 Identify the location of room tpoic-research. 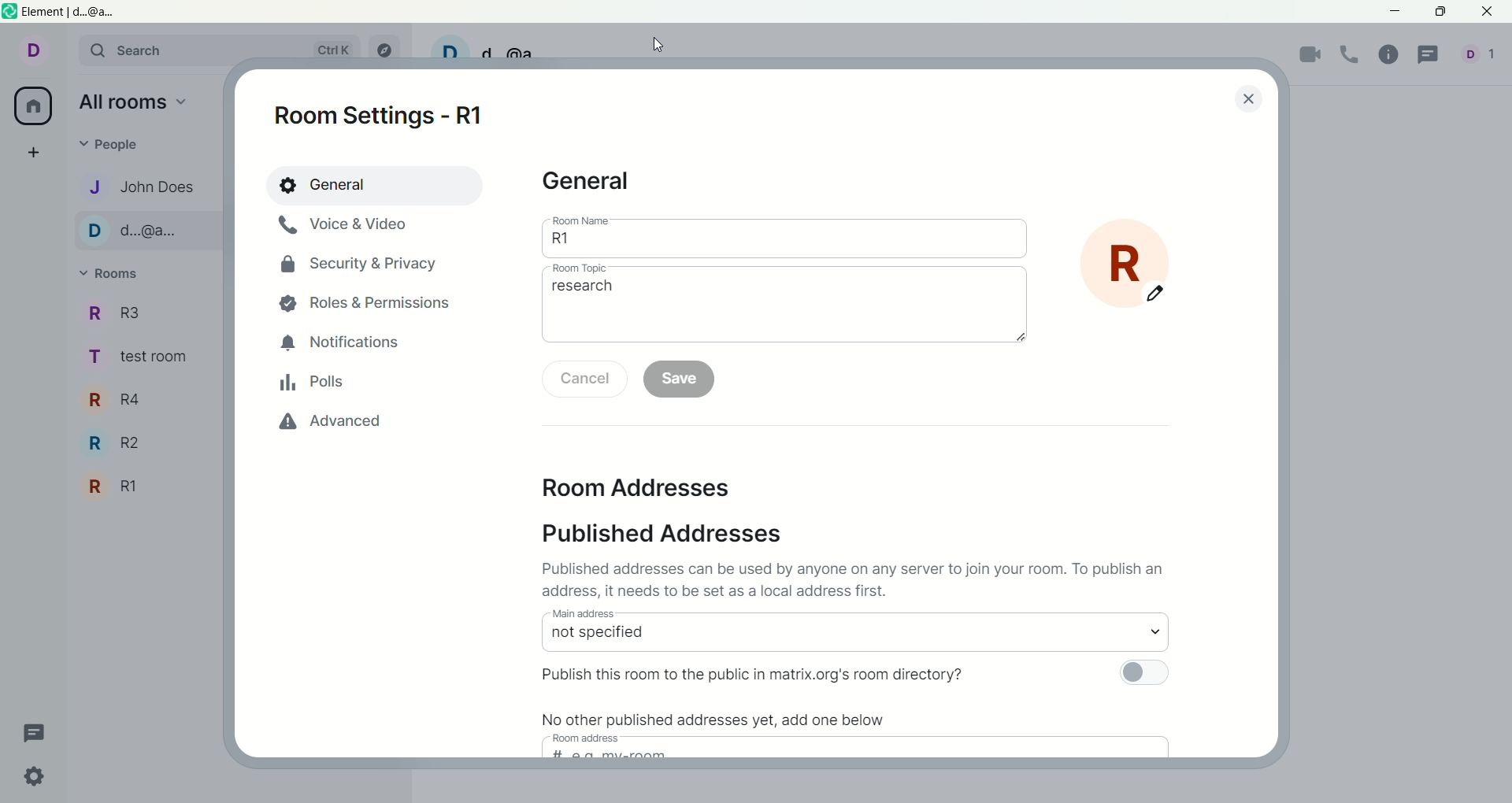
(785, 313).